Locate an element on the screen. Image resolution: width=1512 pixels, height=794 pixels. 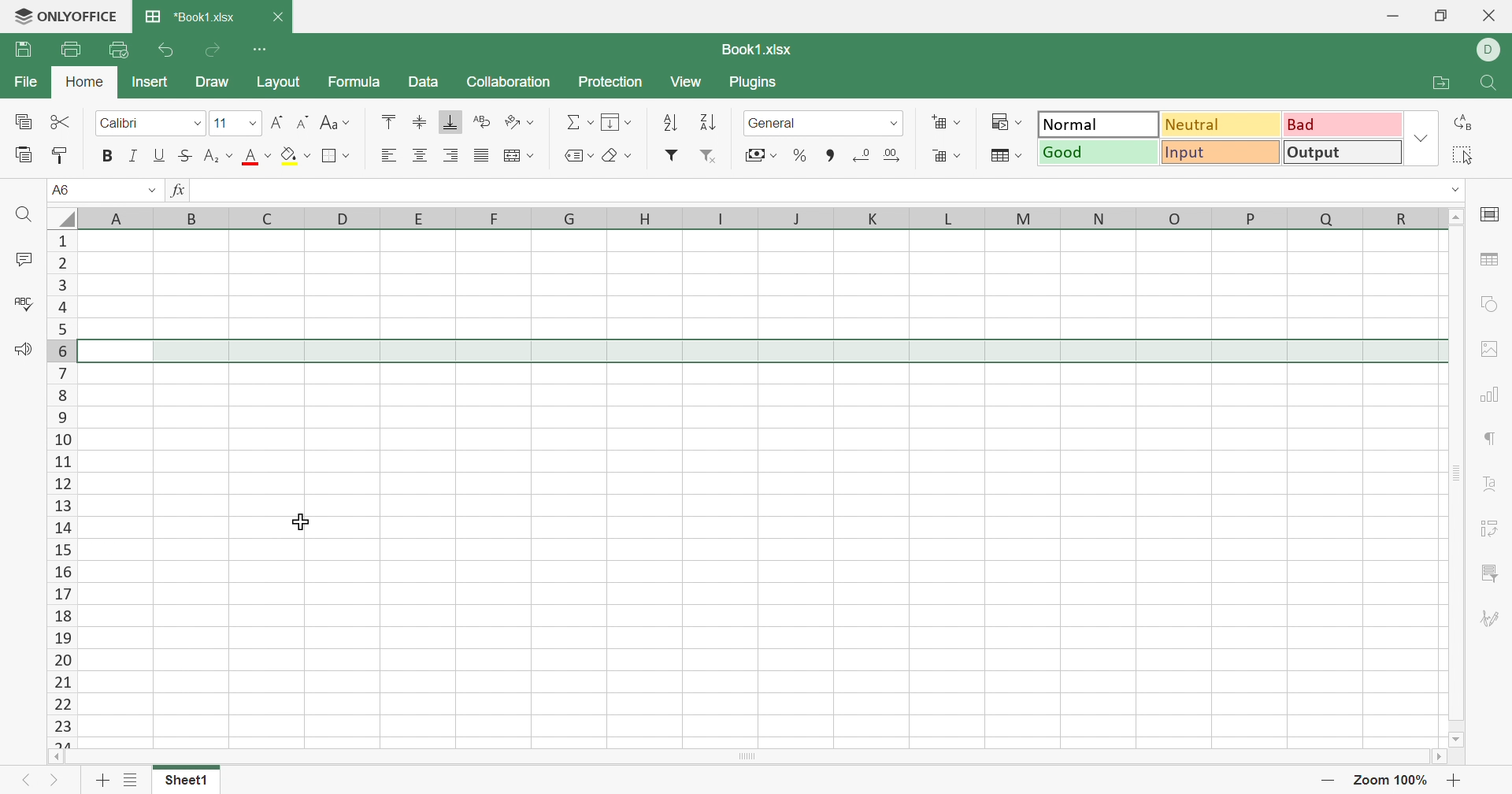
Fill is located at coordinates (615, 120).